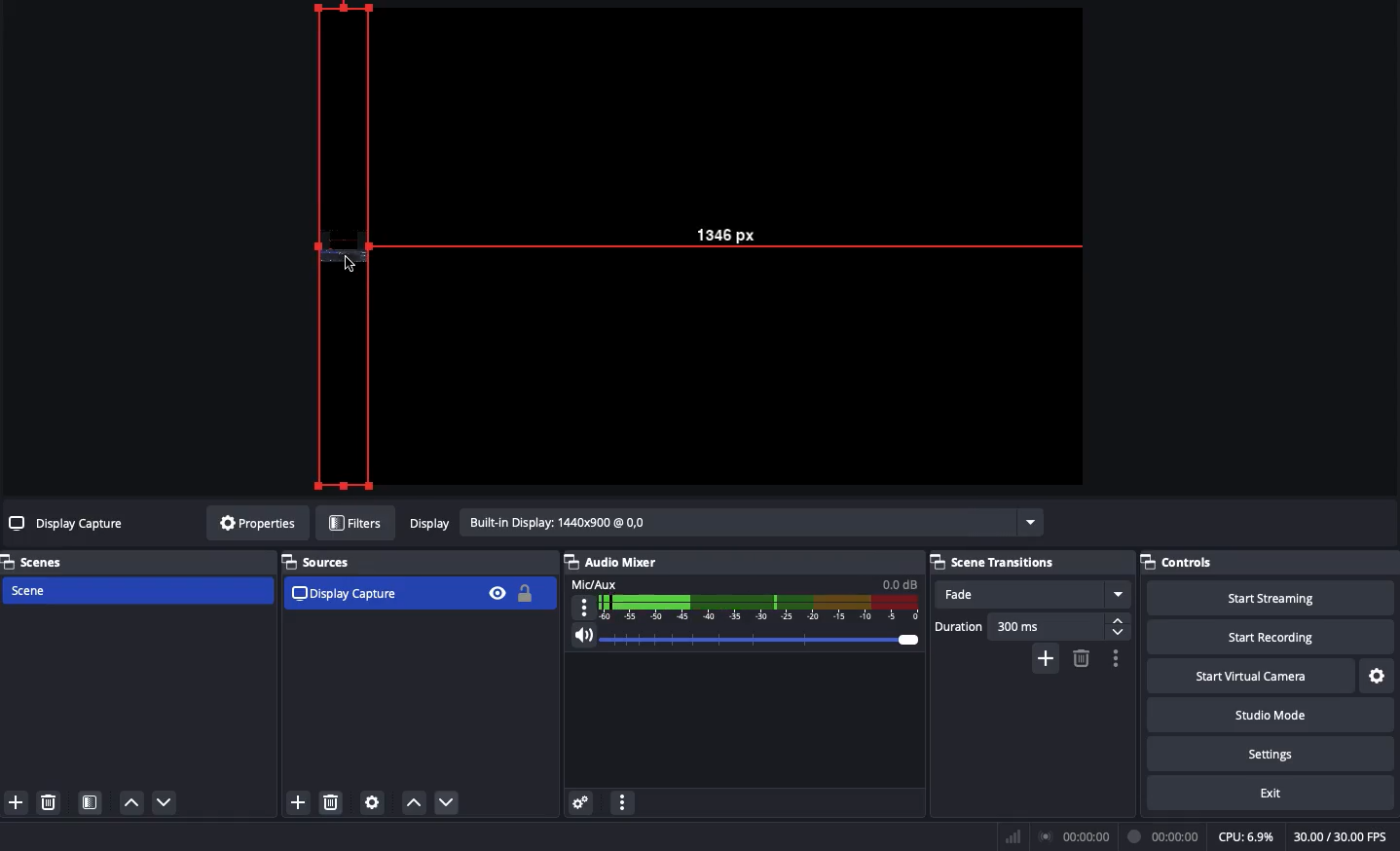 The image size is (1400, 851). What do you see at coordinates (1272, 596) in the screenshot?
I see `Start streaming` at bounding box center [1272, 596].